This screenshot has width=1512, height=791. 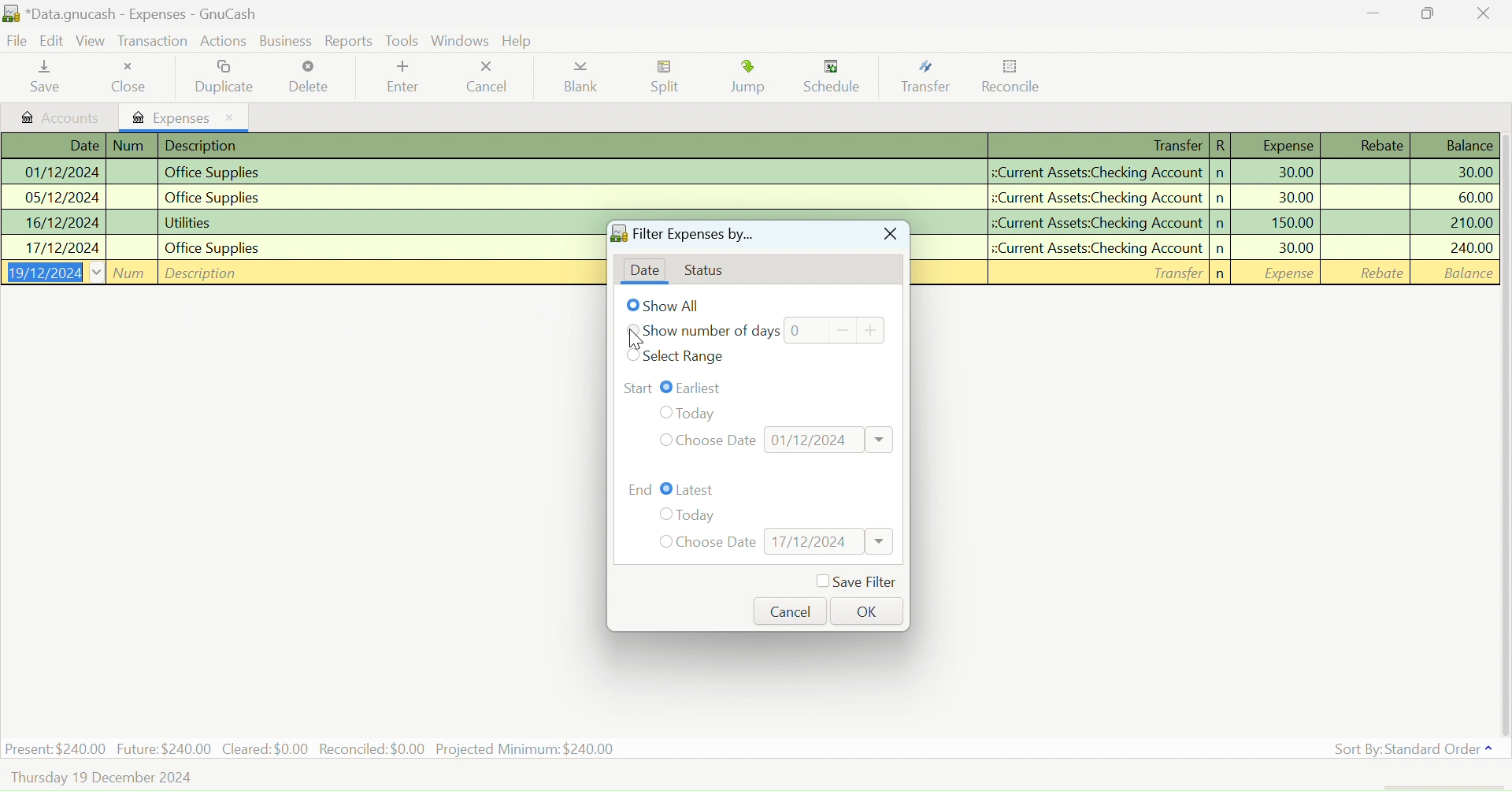 I want to click on Delete, so click(x=309, y=77).